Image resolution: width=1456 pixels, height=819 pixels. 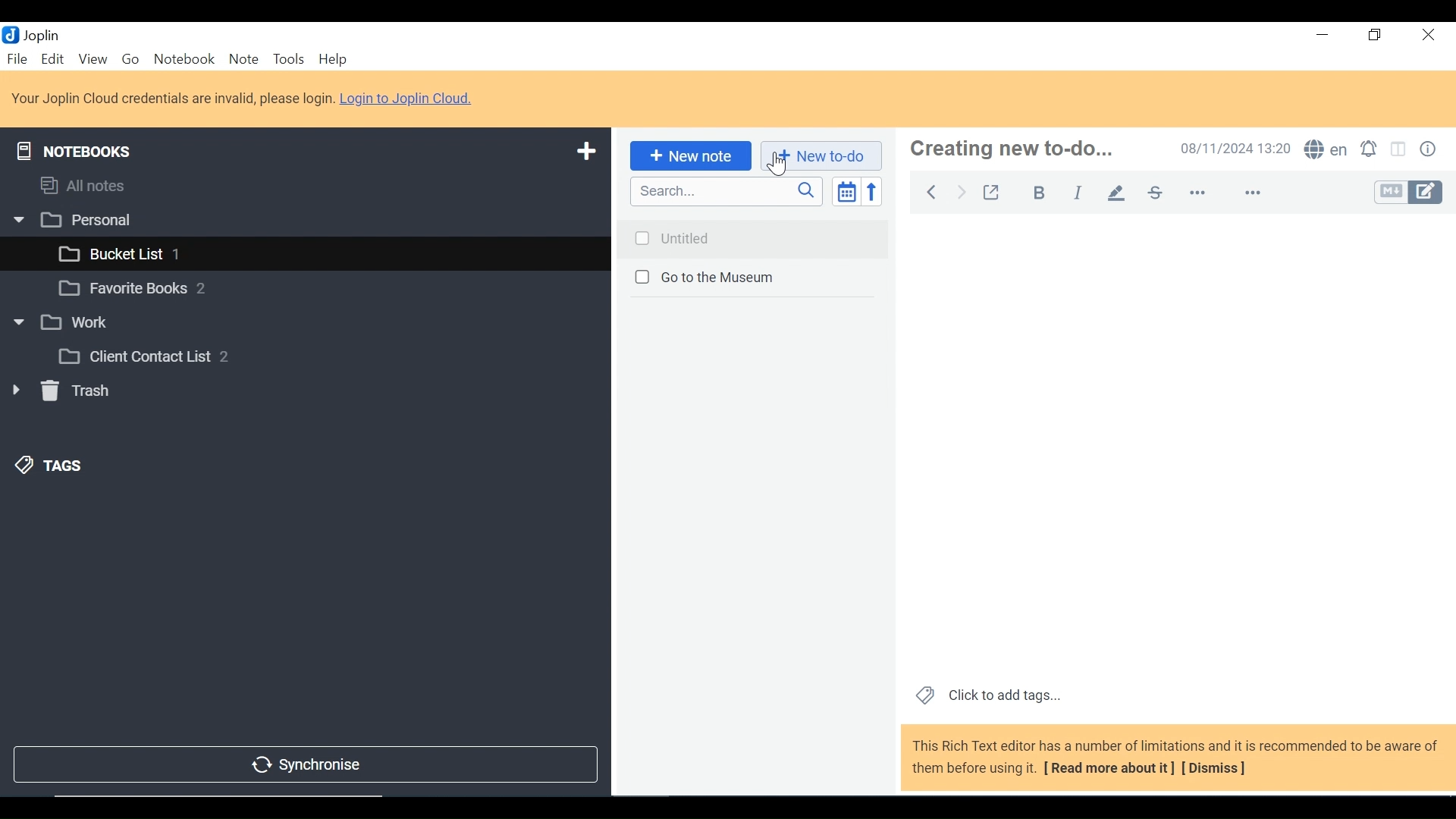 I want to click on Add New Note, so click(x=689, y=156).